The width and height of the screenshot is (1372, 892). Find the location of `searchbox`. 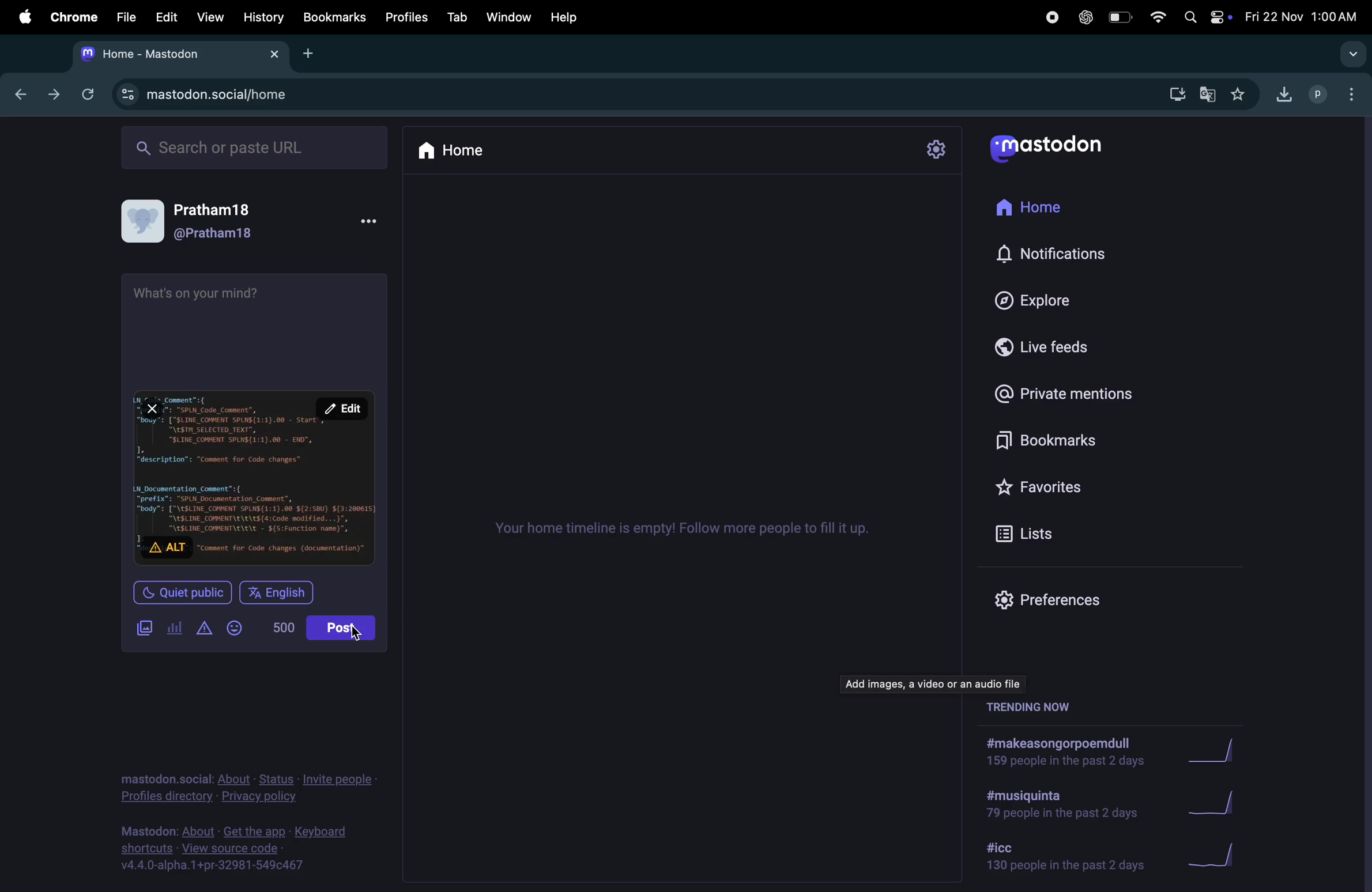

searchbox is located at coordinates (263, 149).